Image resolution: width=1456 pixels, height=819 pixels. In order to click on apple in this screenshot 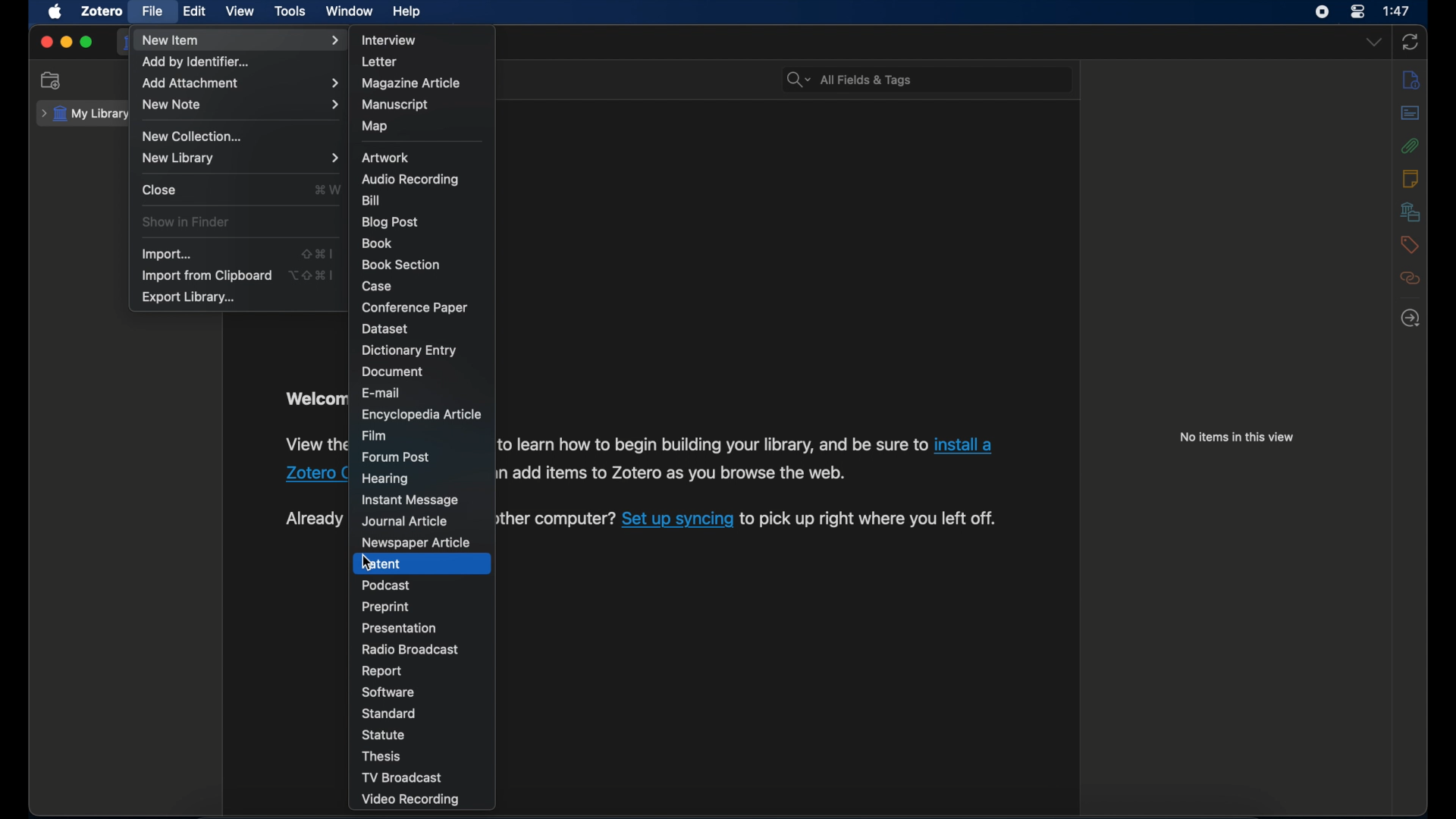, I will do `click(54, 11)`.